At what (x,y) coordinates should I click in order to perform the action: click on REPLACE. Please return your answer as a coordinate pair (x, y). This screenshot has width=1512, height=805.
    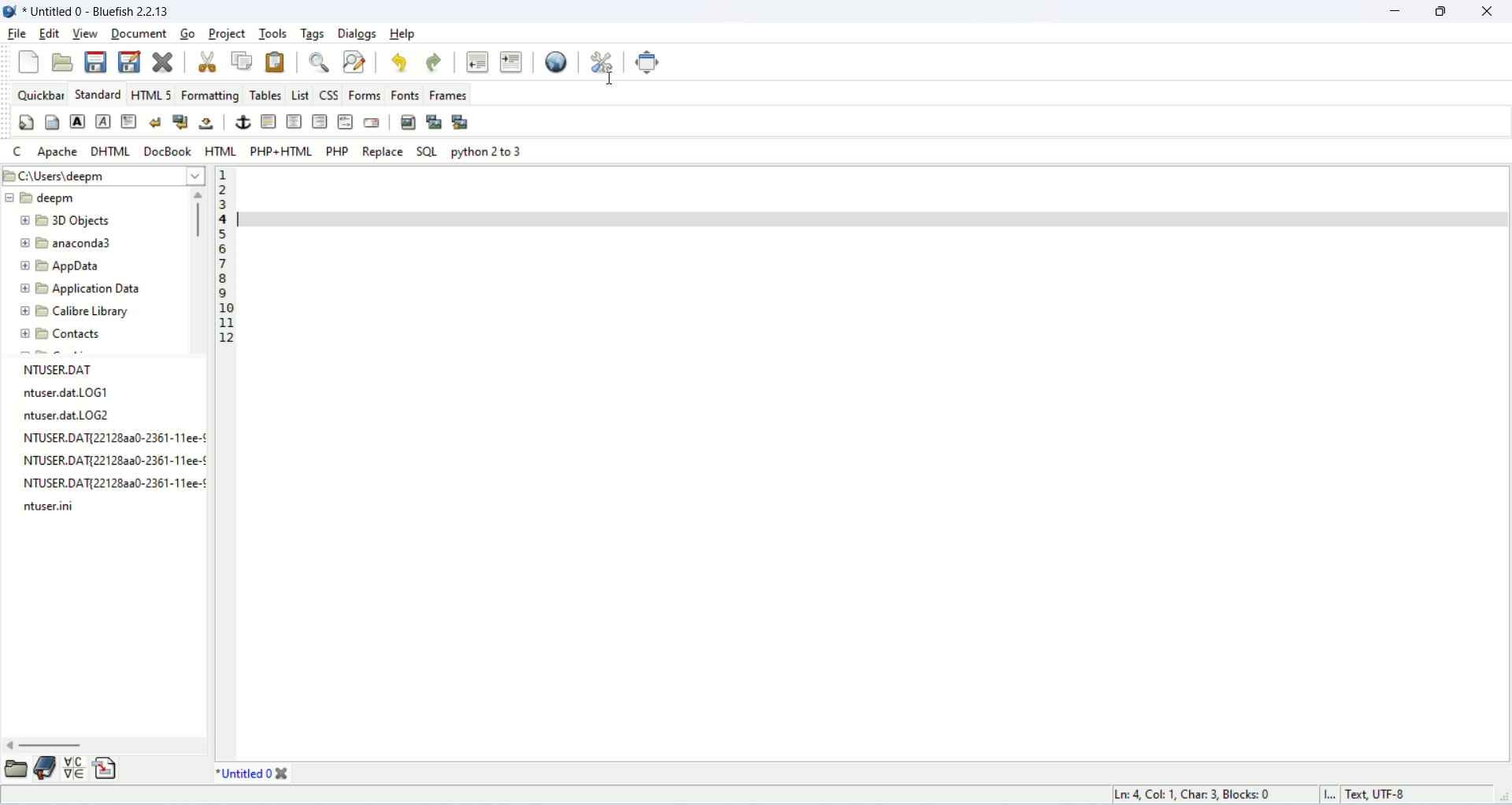
    Looking at the image, I should click on (384, 150).